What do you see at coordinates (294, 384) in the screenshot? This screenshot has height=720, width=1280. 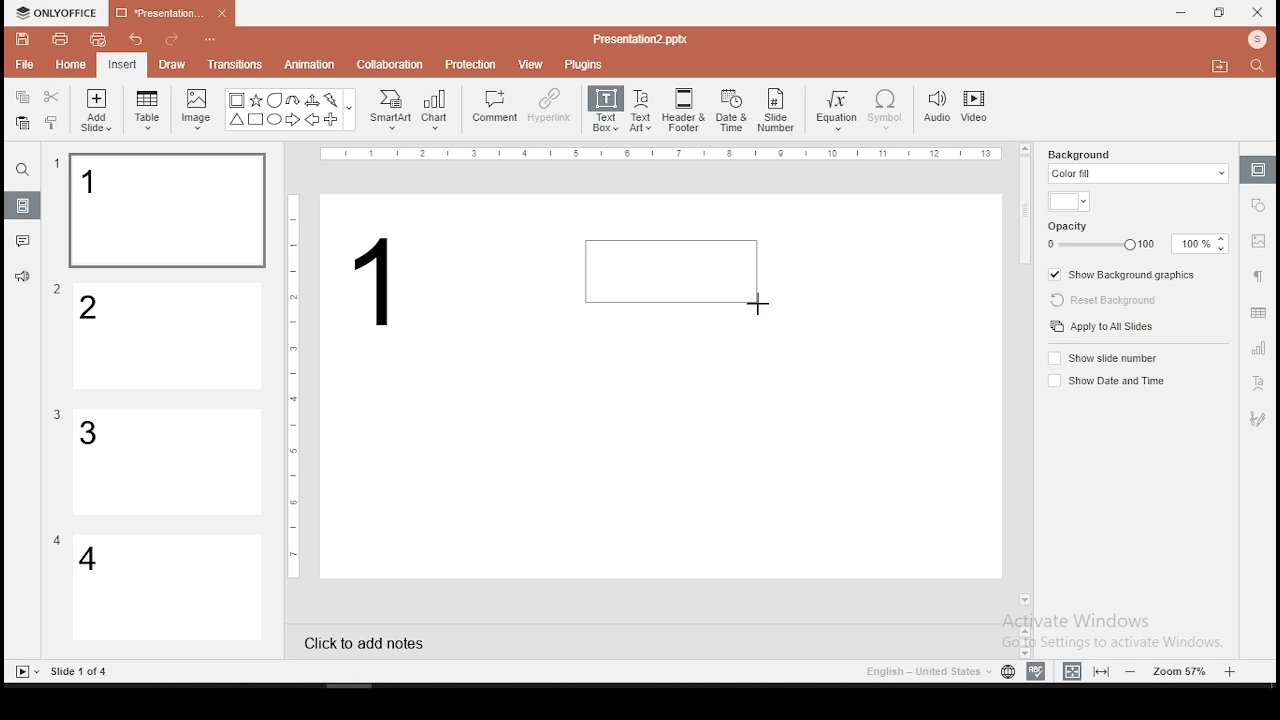 I see `` at bounding box center [294, 384].